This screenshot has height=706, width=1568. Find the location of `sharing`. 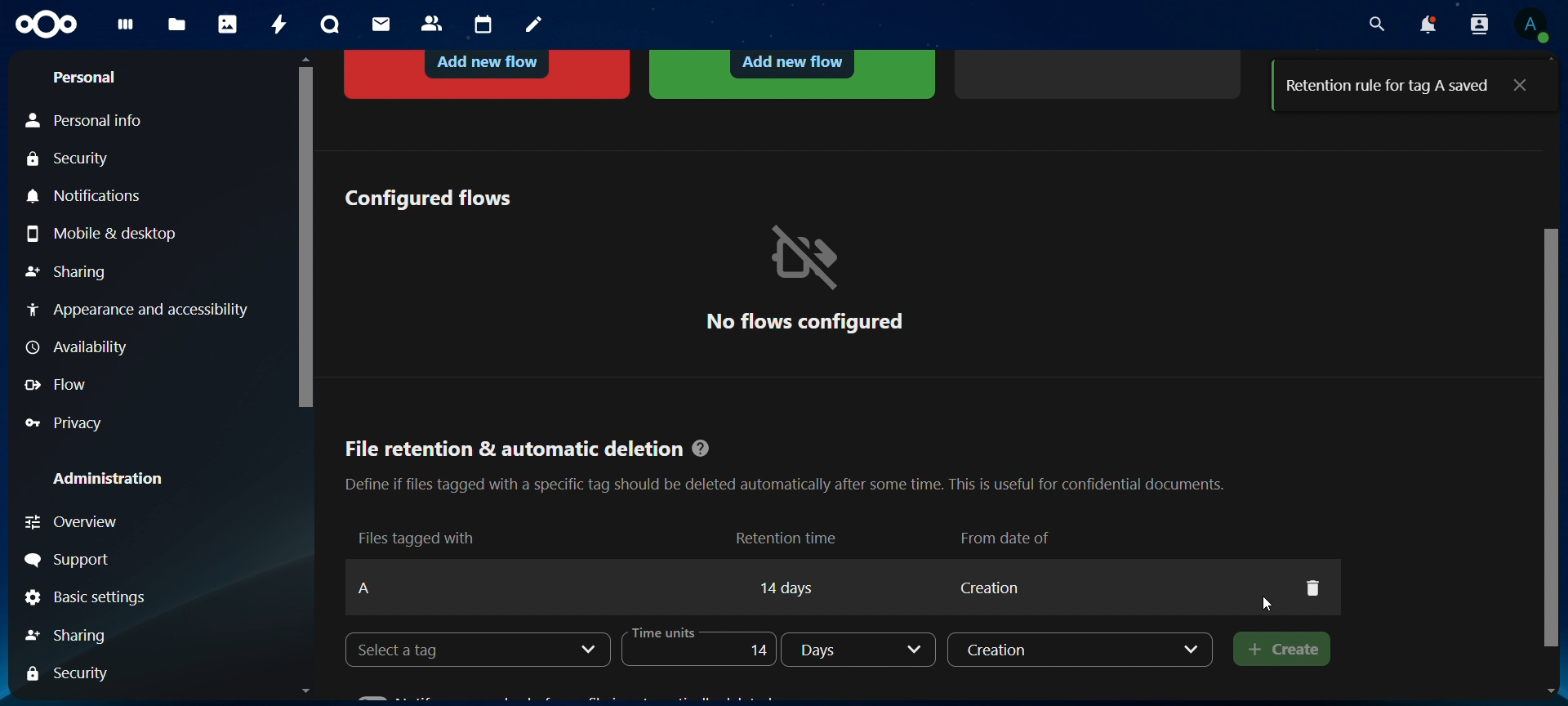

sharing is located at coordinates (66, 274).